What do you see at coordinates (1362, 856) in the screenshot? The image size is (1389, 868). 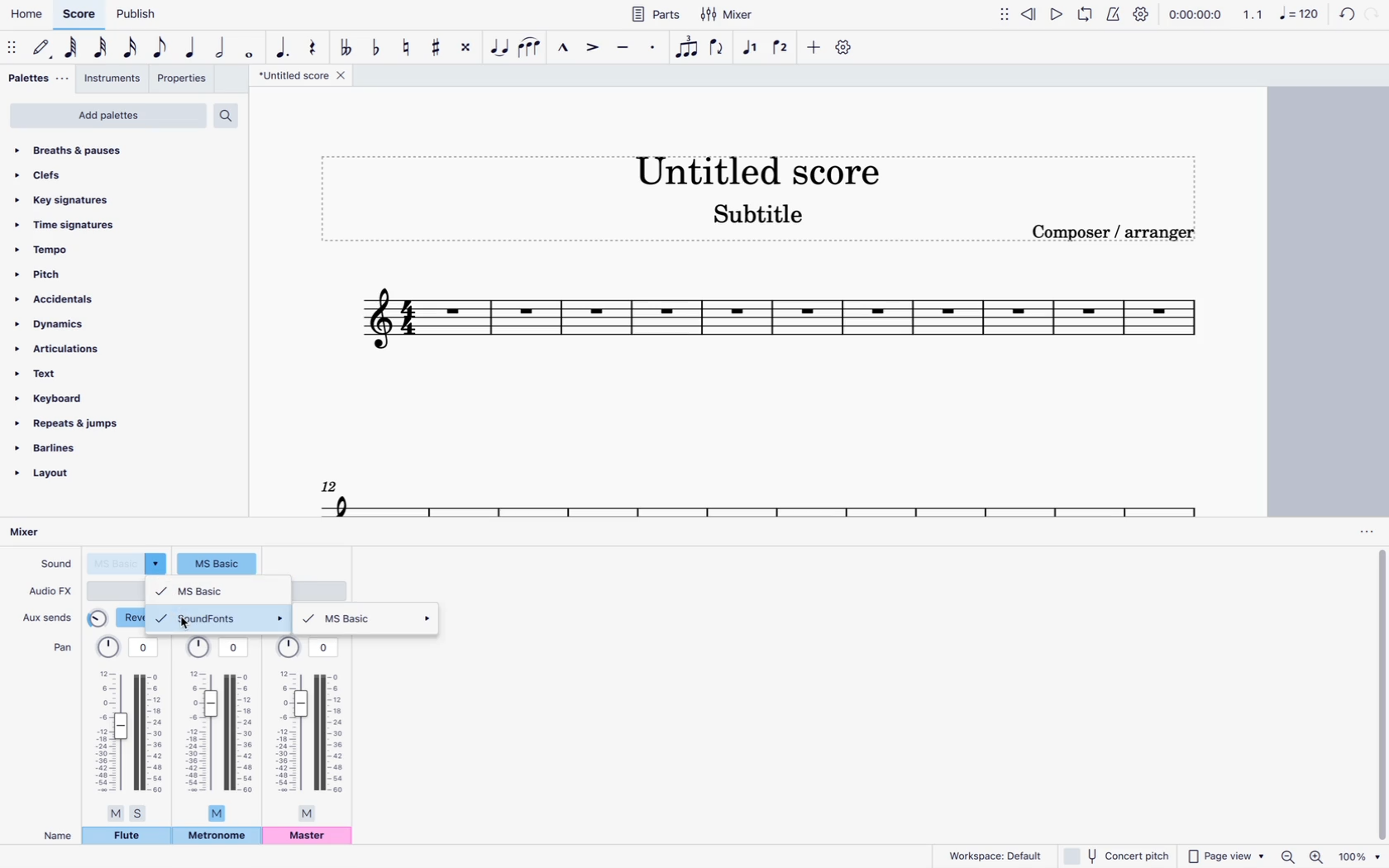 I see `zoom percentage` at bounding box center [1362, 856].